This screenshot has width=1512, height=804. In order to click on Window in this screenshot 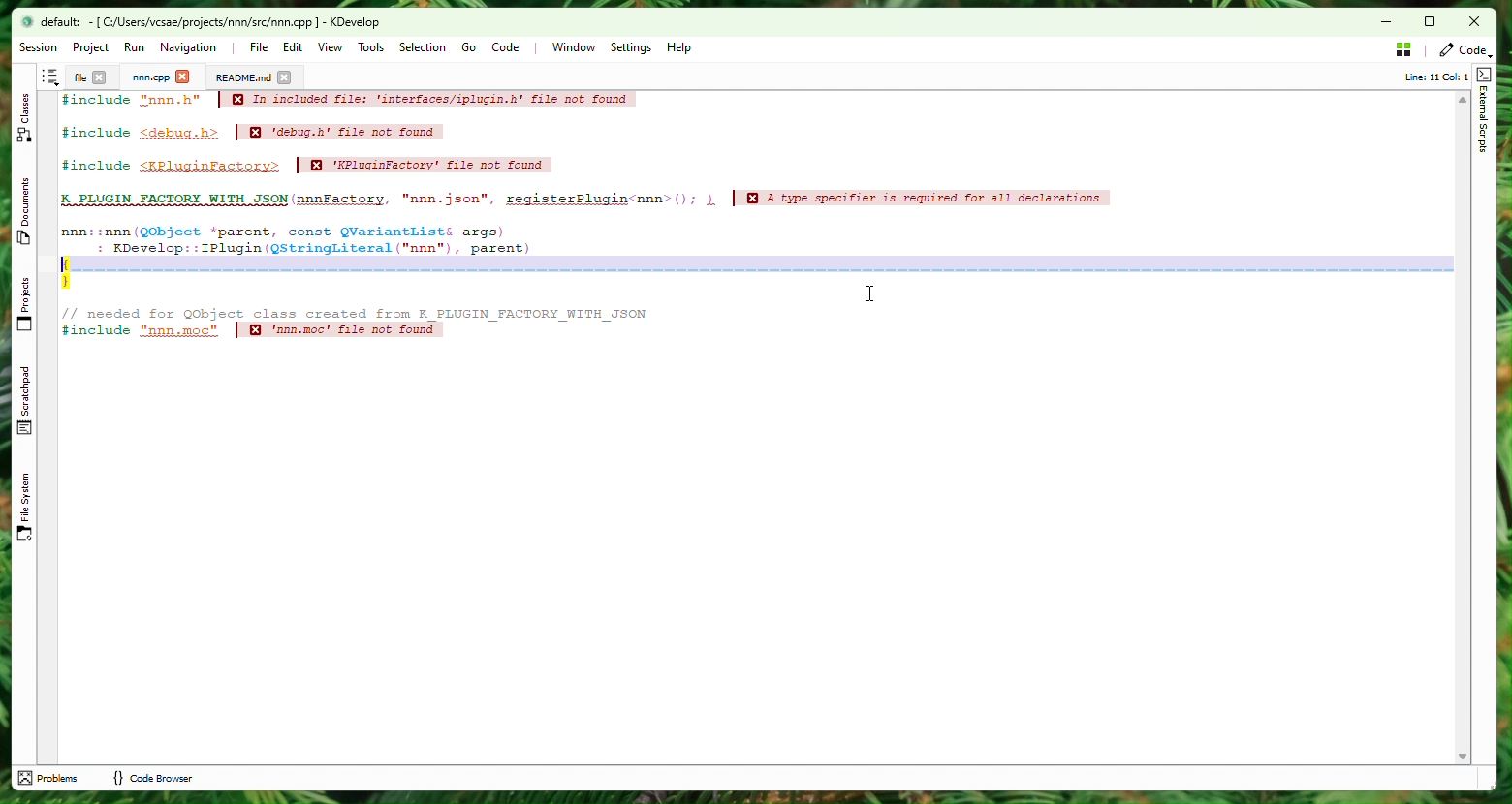, I will do `click(573, 47)`.